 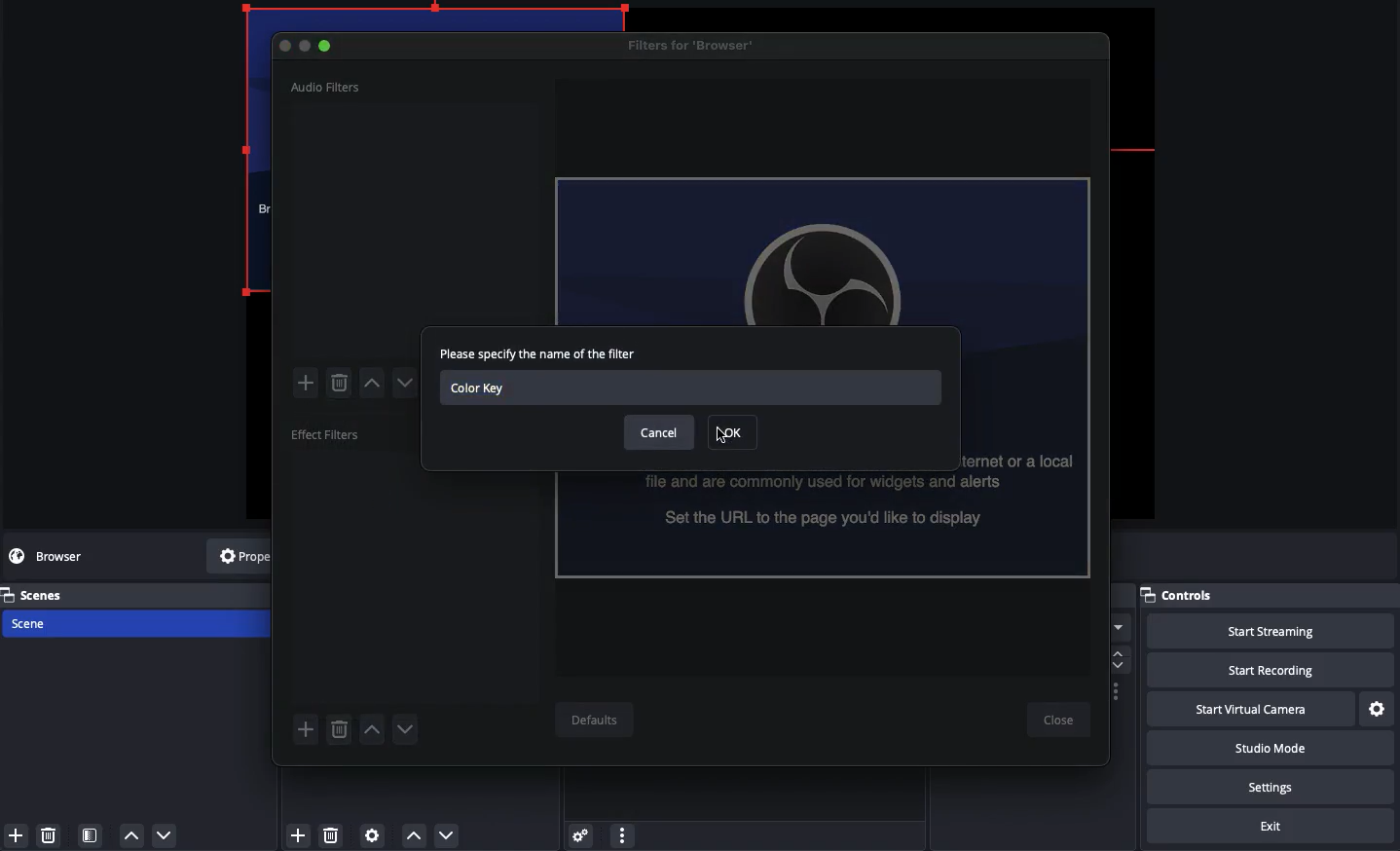 What do you see at coordinates (1269, 748) in the screenshot?
I see `Studio` at bounding box center [1269, 748].